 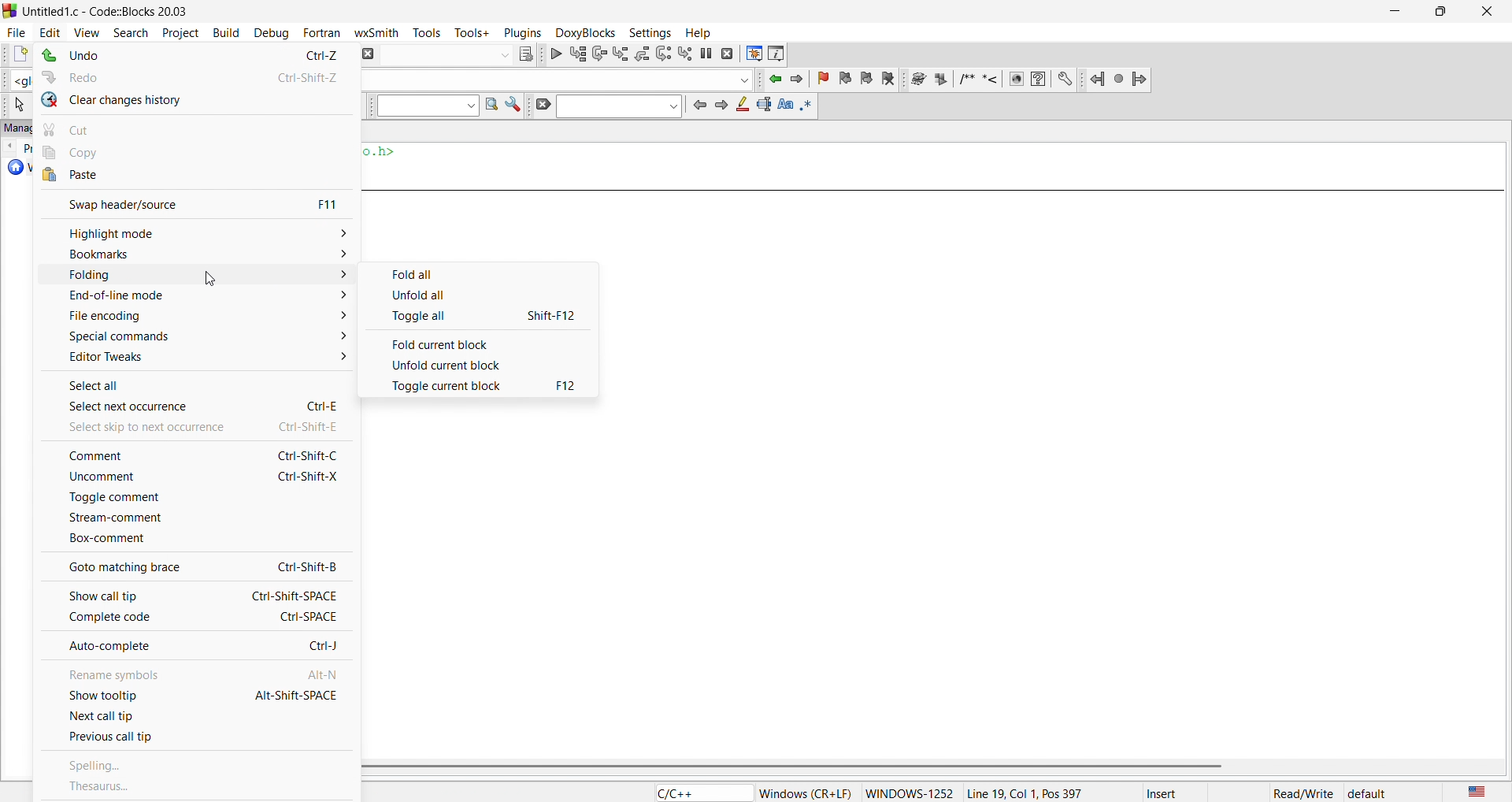 I want to click on search box, so click(x=423, y=106).